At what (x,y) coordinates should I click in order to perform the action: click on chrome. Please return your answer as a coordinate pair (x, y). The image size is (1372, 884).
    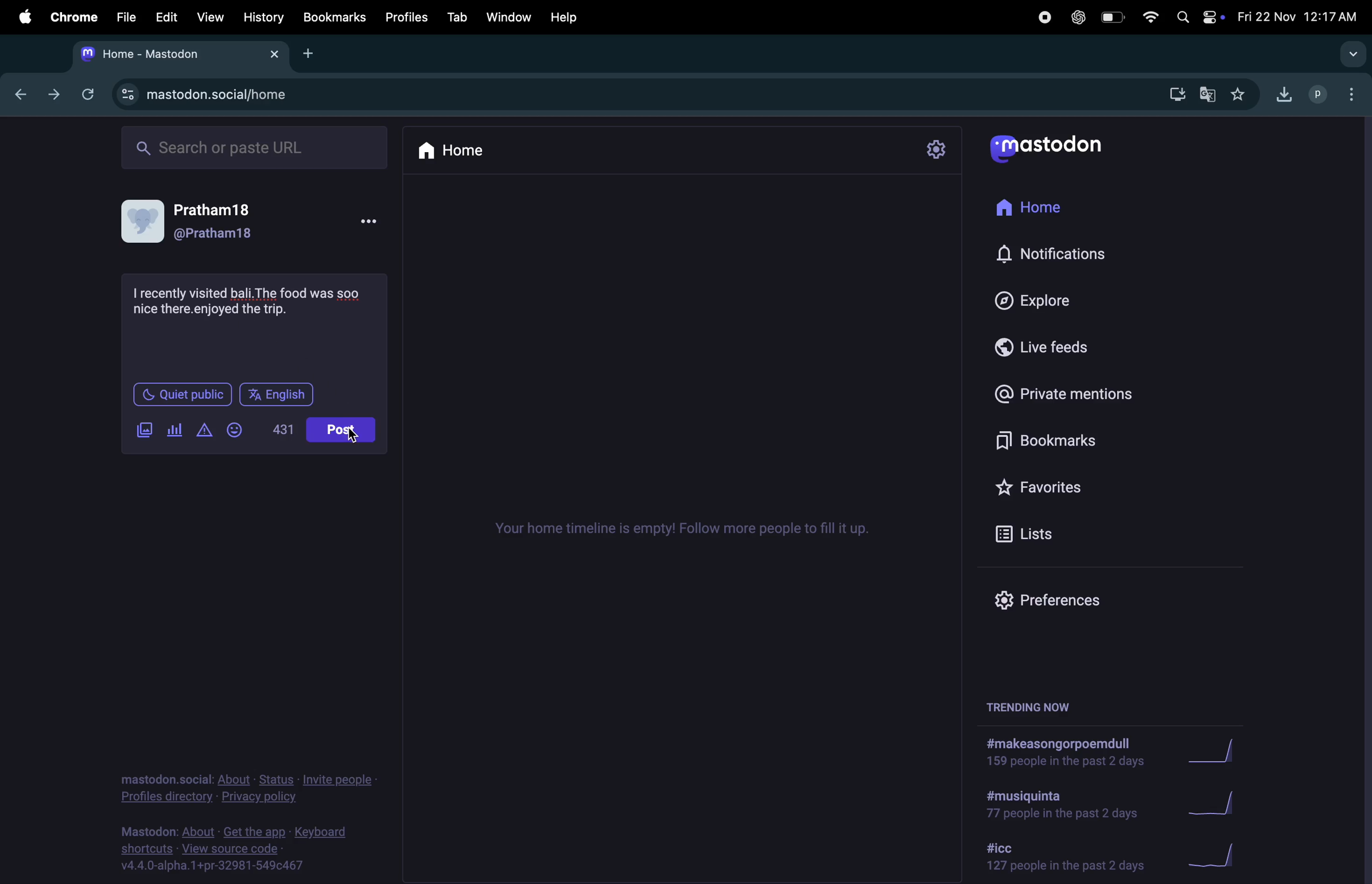
    Looking at the image, I should click on (73, 15).